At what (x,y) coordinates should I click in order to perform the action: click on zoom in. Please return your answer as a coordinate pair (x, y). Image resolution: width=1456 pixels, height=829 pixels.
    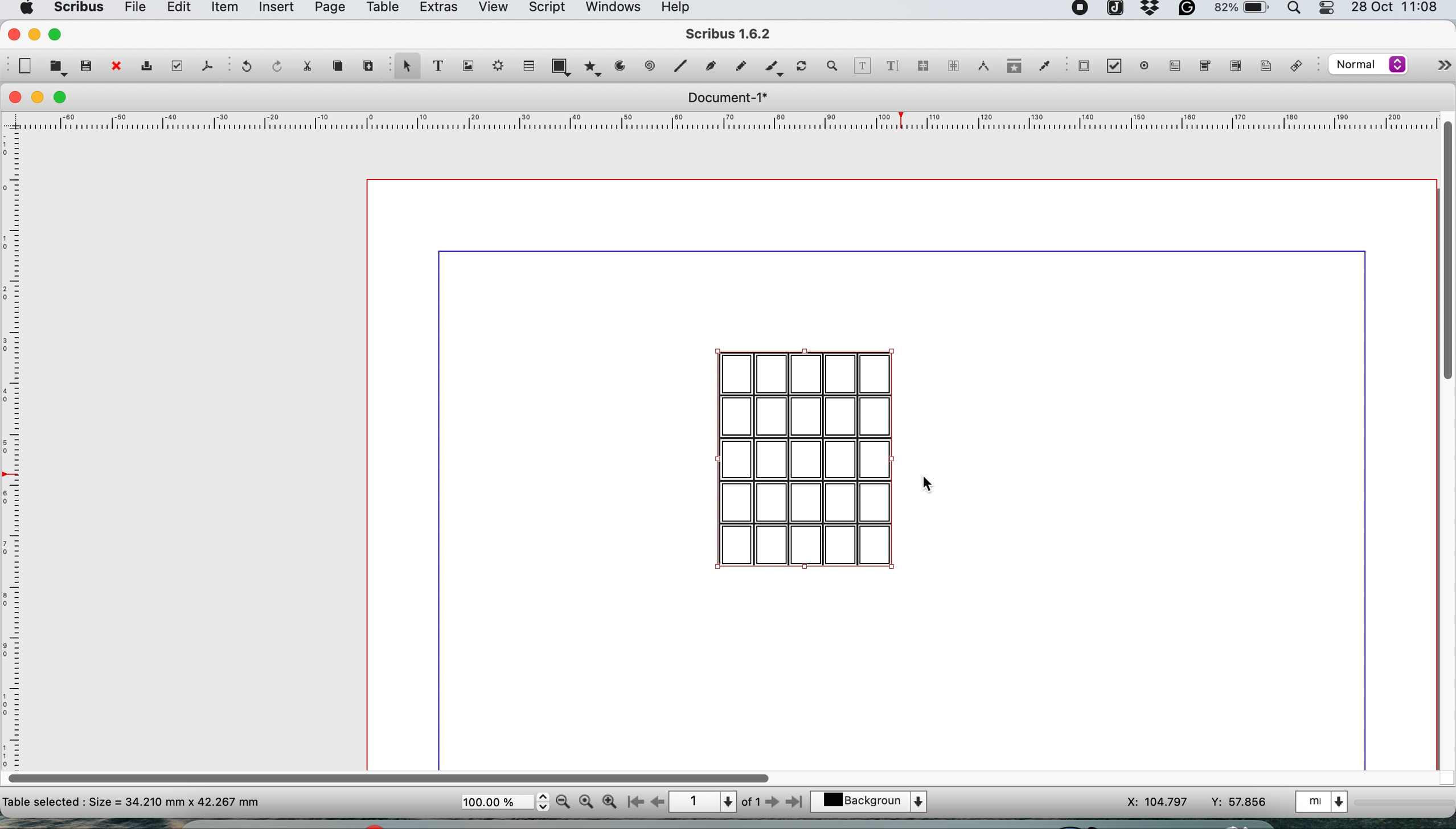
    Looking at the image, I should click on (610, 802).